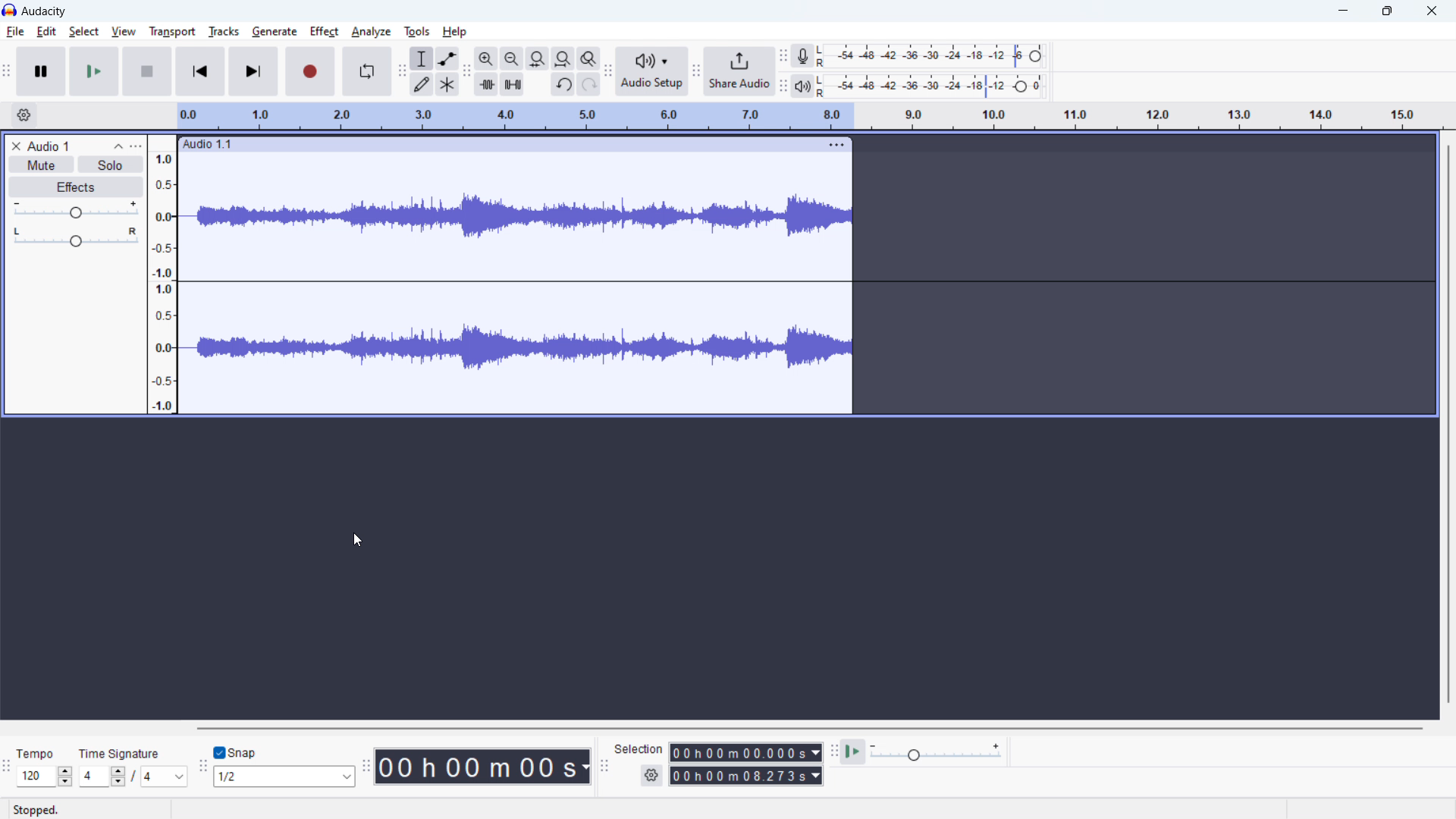  Describe the element at coordinates (36, 808) in the screenshot. I see `Stopped` at that location.